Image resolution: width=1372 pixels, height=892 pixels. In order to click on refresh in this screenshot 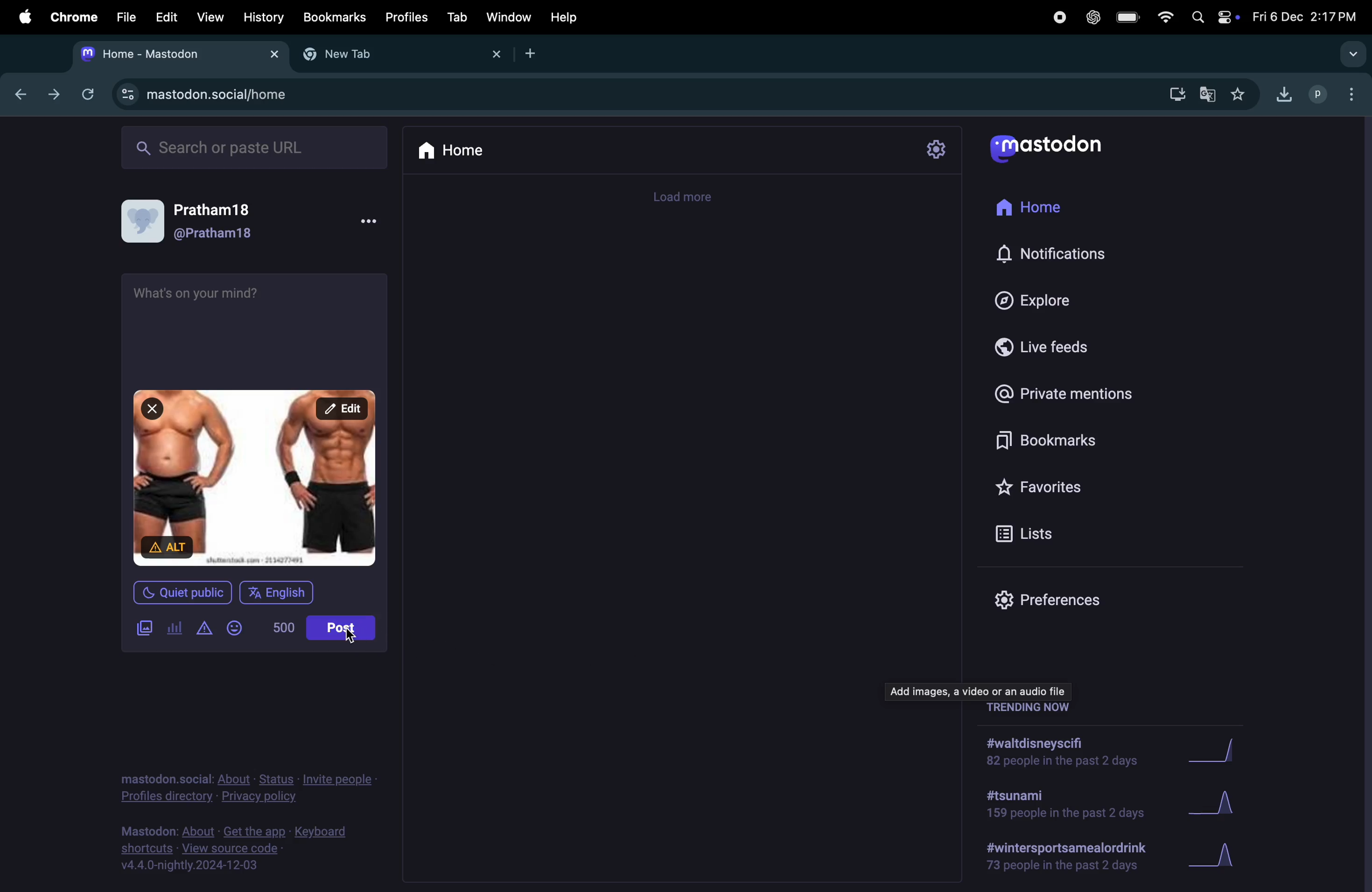, I will do `click(85, 93)`.